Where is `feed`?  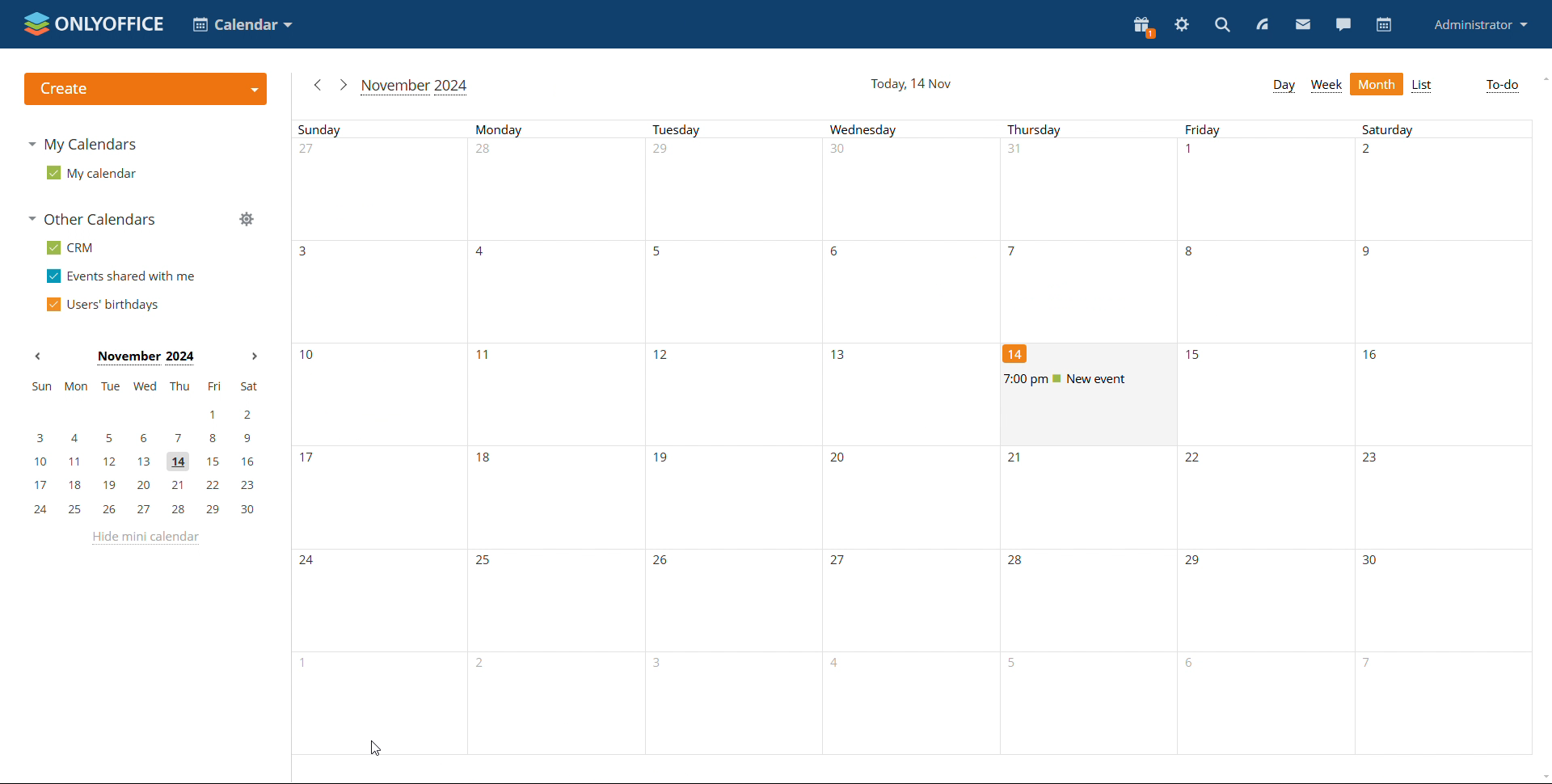 feed is located at coordinates (1261, 23).